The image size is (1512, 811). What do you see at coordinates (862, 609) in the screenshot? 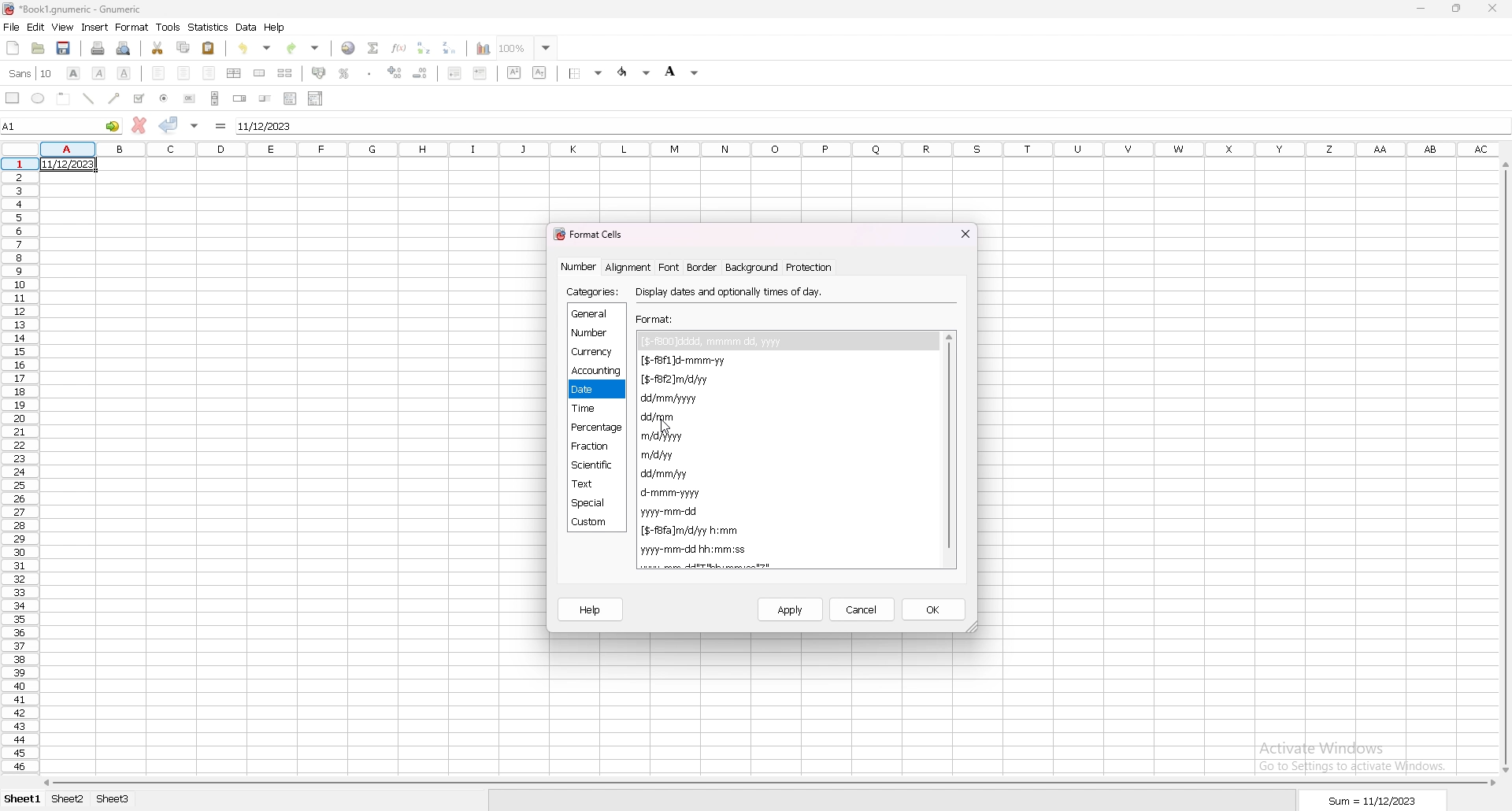
I see `cancel` at bounding box center [862, 609].